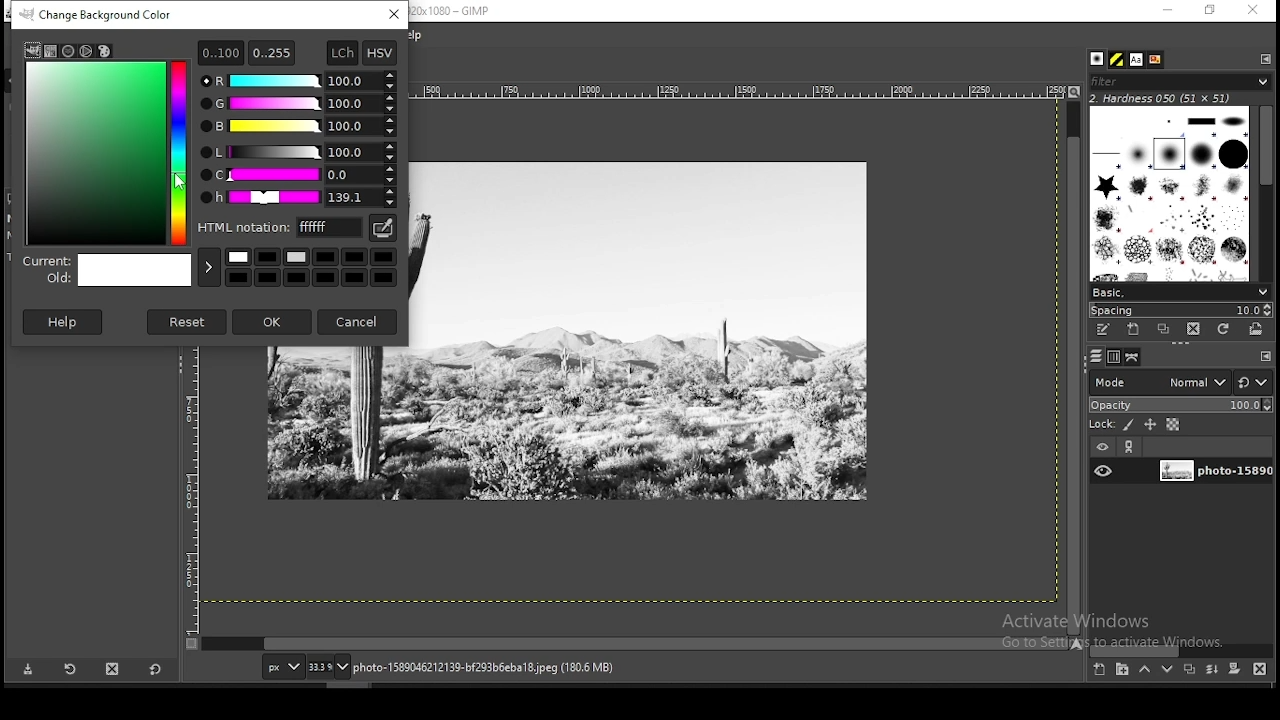 This screenshot has height=720, width=1280. Describe the element at coordinates (1134, 357) in the screenshot. I see `paths` at that location.